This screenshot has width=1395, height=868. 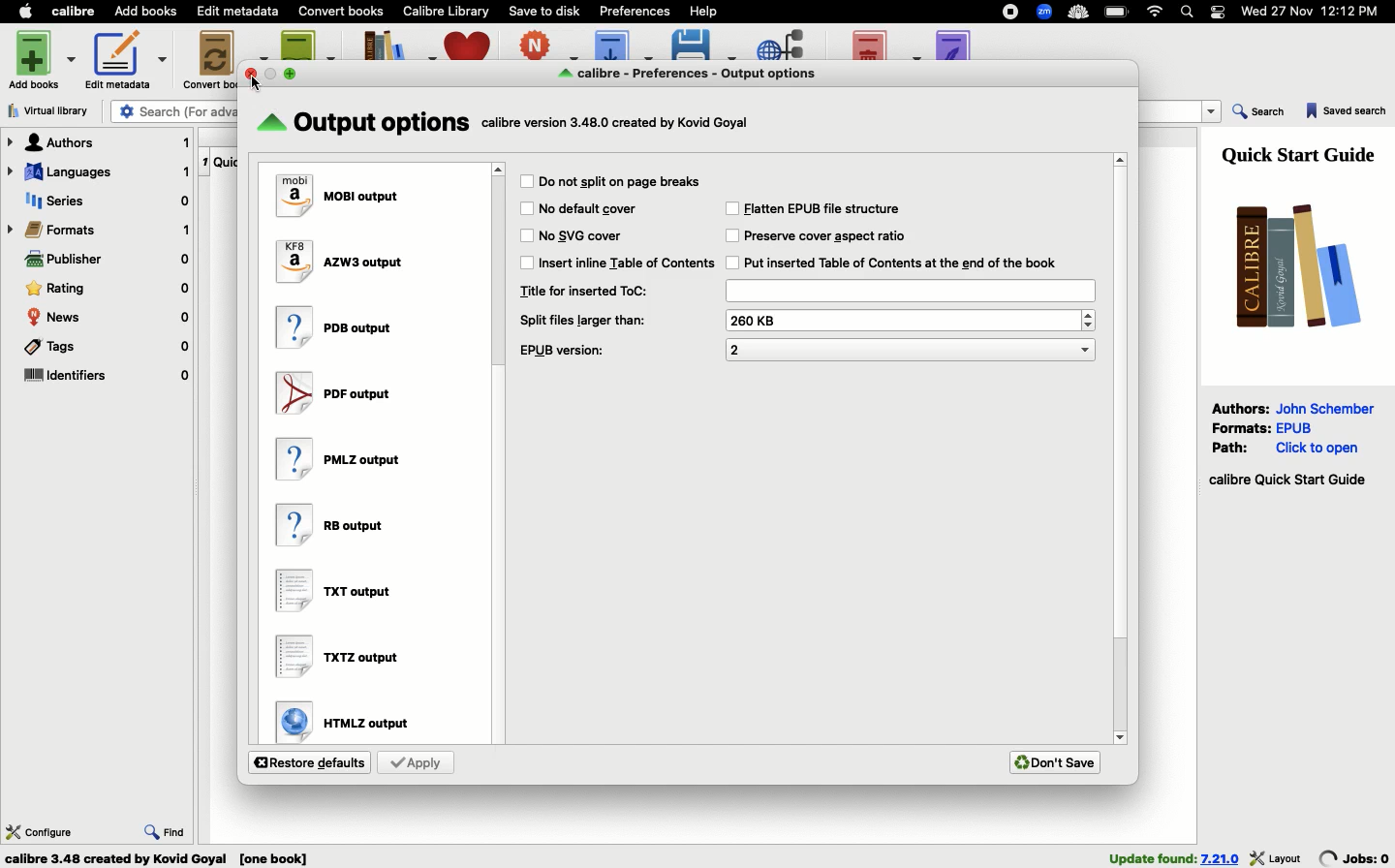 What do you see at coordinates (108, 318) in the screenshot?
I see `News` at bounding box center [108, 318].